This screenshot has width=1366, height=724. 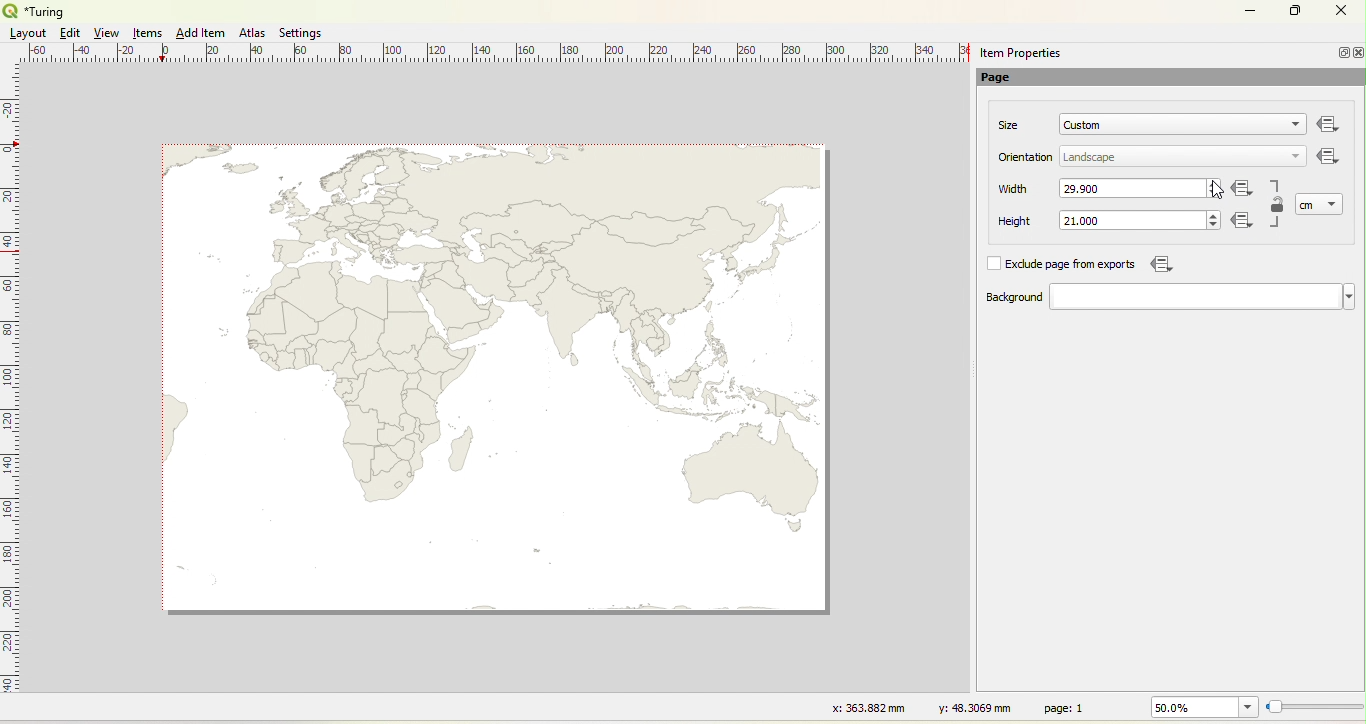 I want to click on Edit, so click(x=68, y=33).